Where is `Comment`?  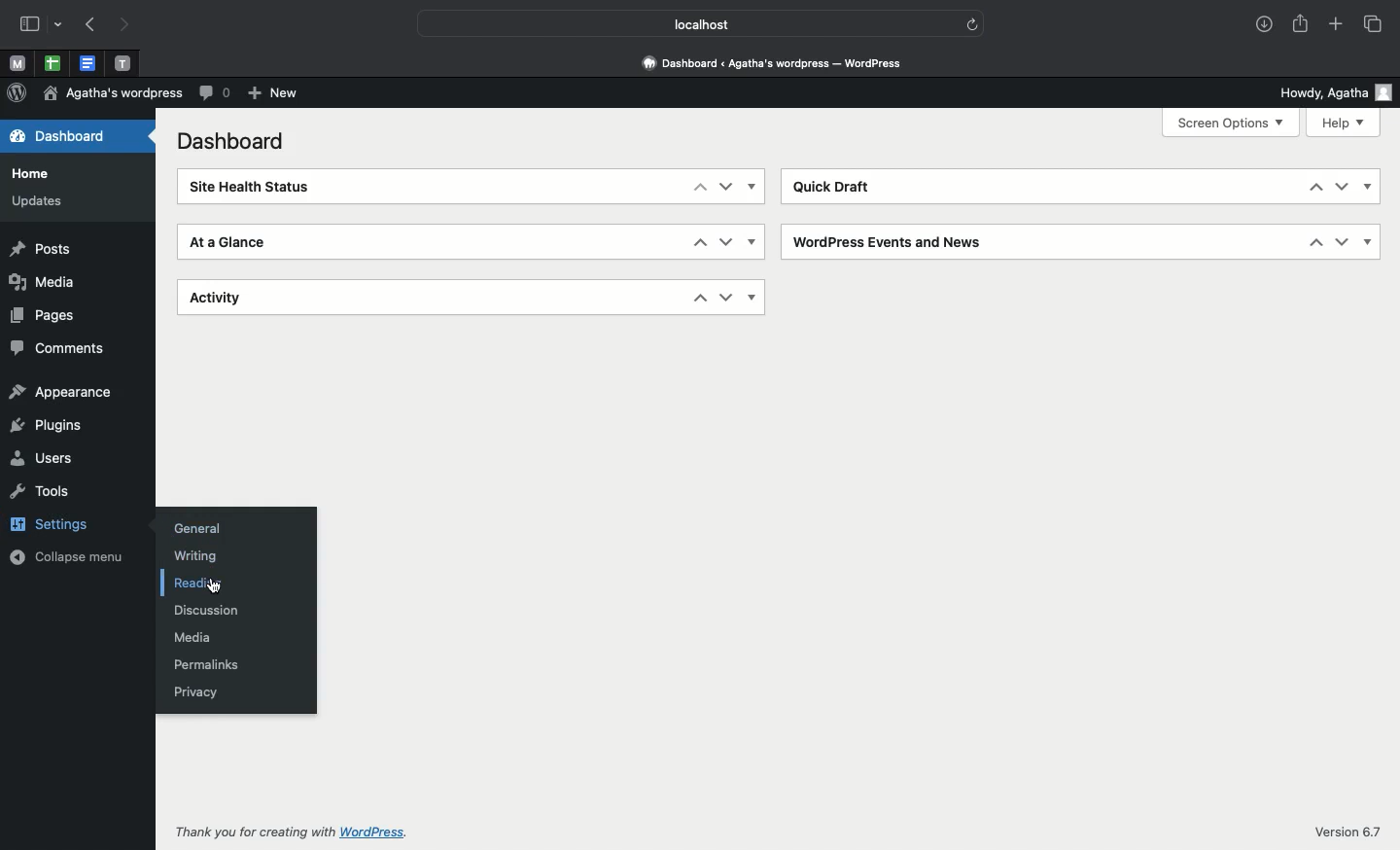 Comment is located at coordinates (216, 93).